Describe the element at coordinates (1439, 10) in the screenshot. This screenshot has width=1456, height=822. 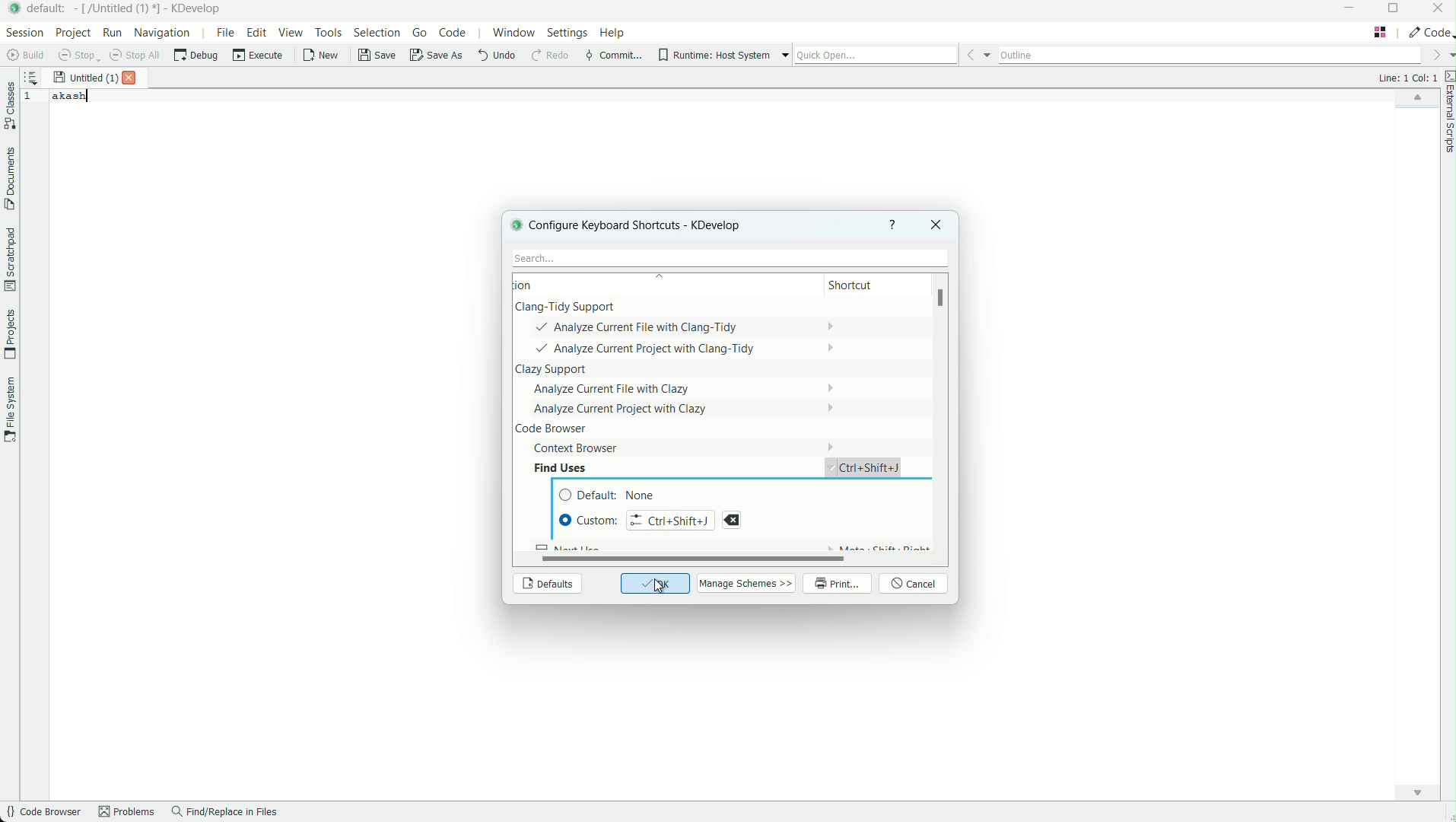
I see `close app` at that location.